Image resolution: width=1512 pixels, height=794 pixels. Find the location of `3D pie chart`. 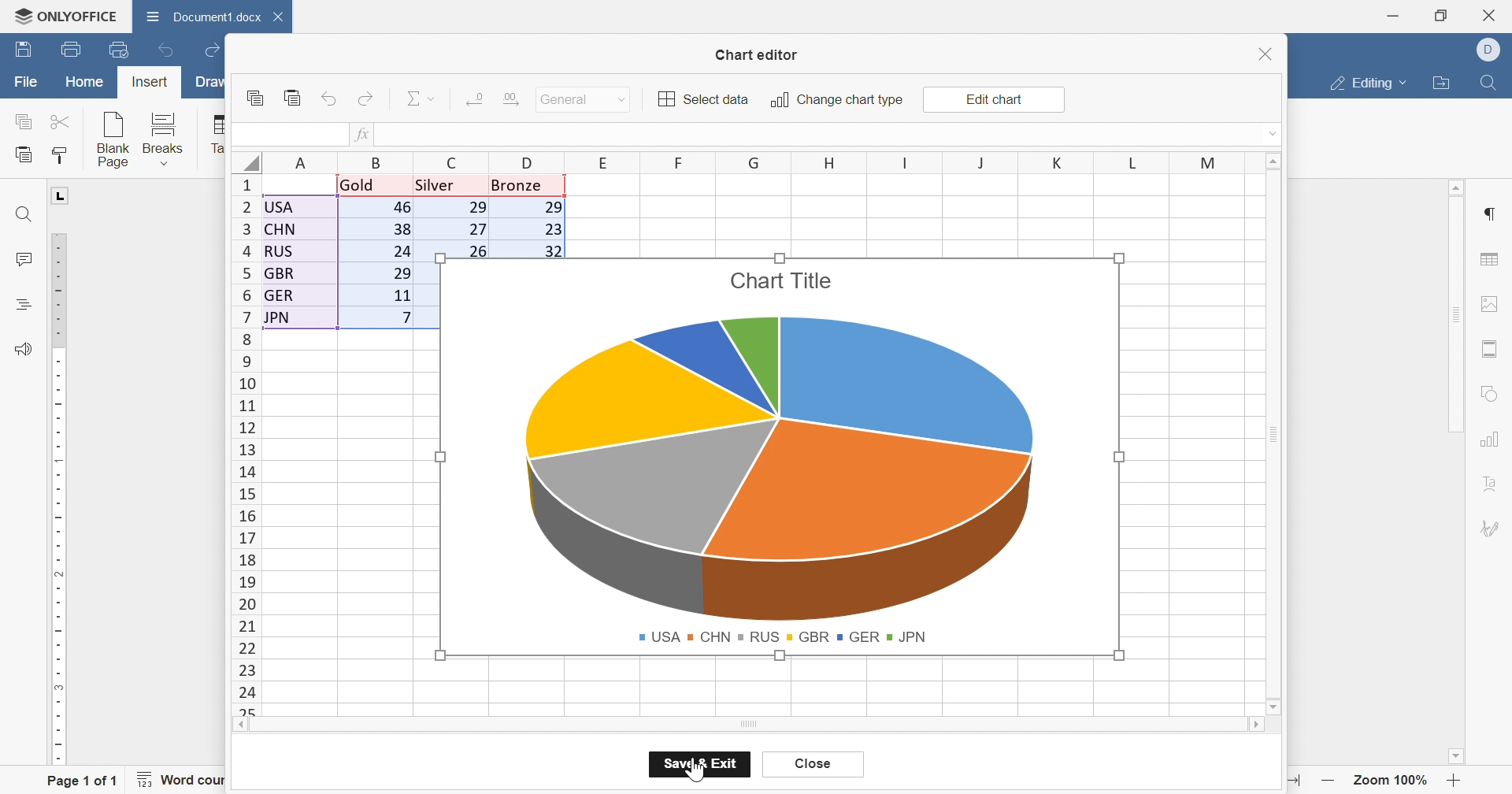

3D pie chart is located at coordinates (785, 468).